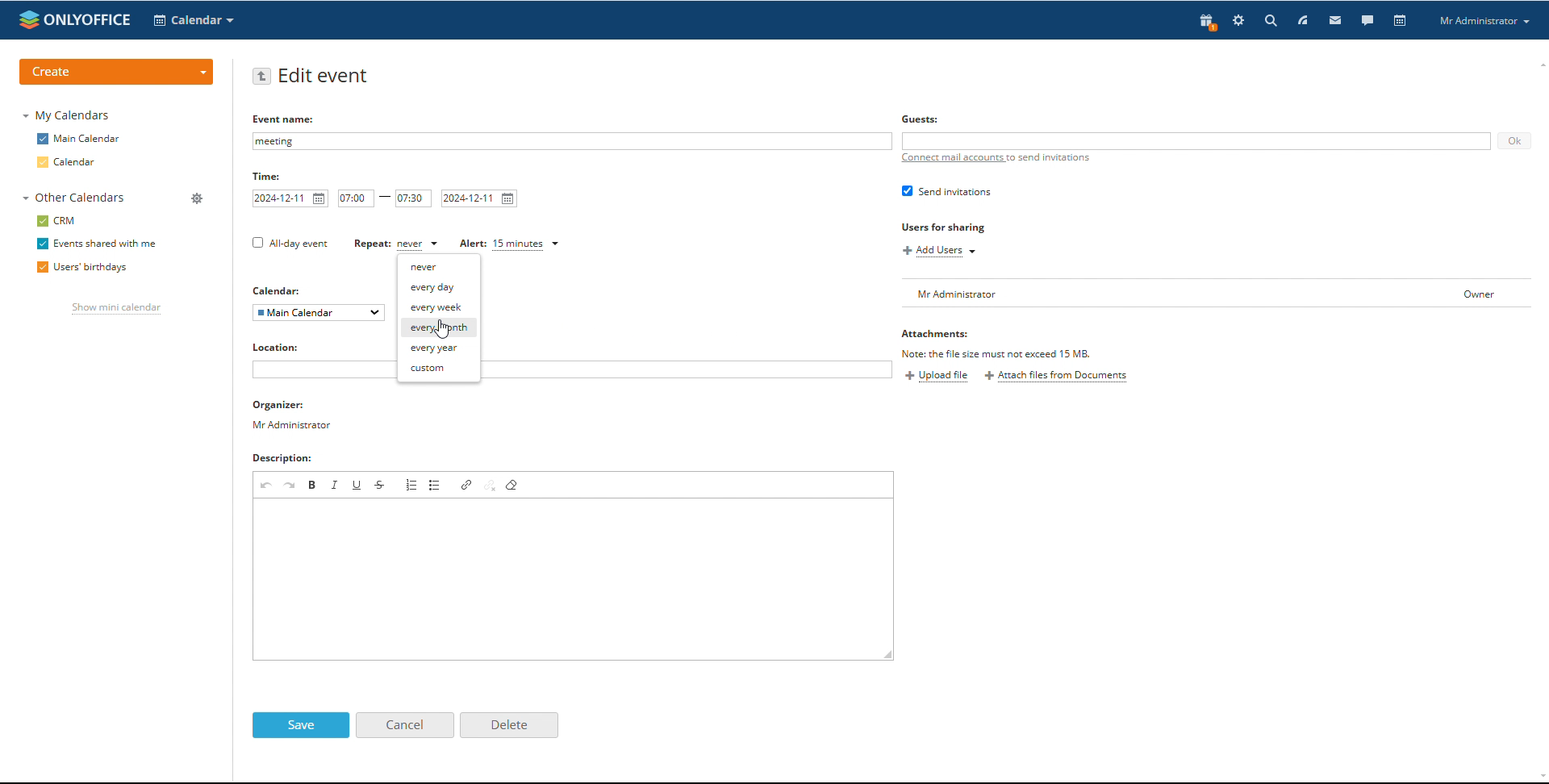 This screenshot has height=784, width=1549. What do you see at coordinates (445, 330) in the screenshot?
I see `mouse pointer` at bounding box center [445, 330].